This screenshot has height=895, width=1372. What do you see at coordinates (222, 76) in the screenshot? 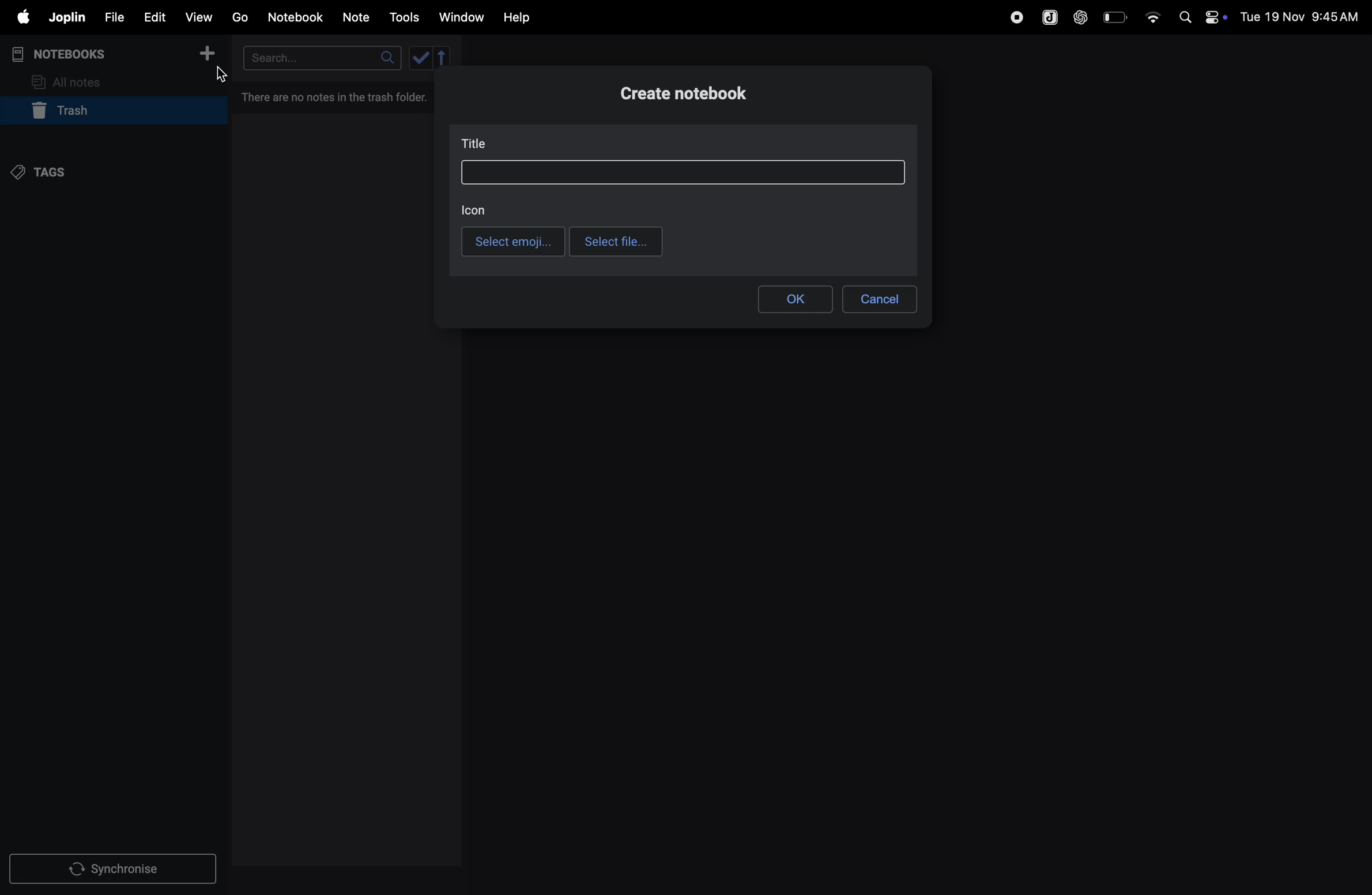
I see `cursor` at bounding box center [222, 76].